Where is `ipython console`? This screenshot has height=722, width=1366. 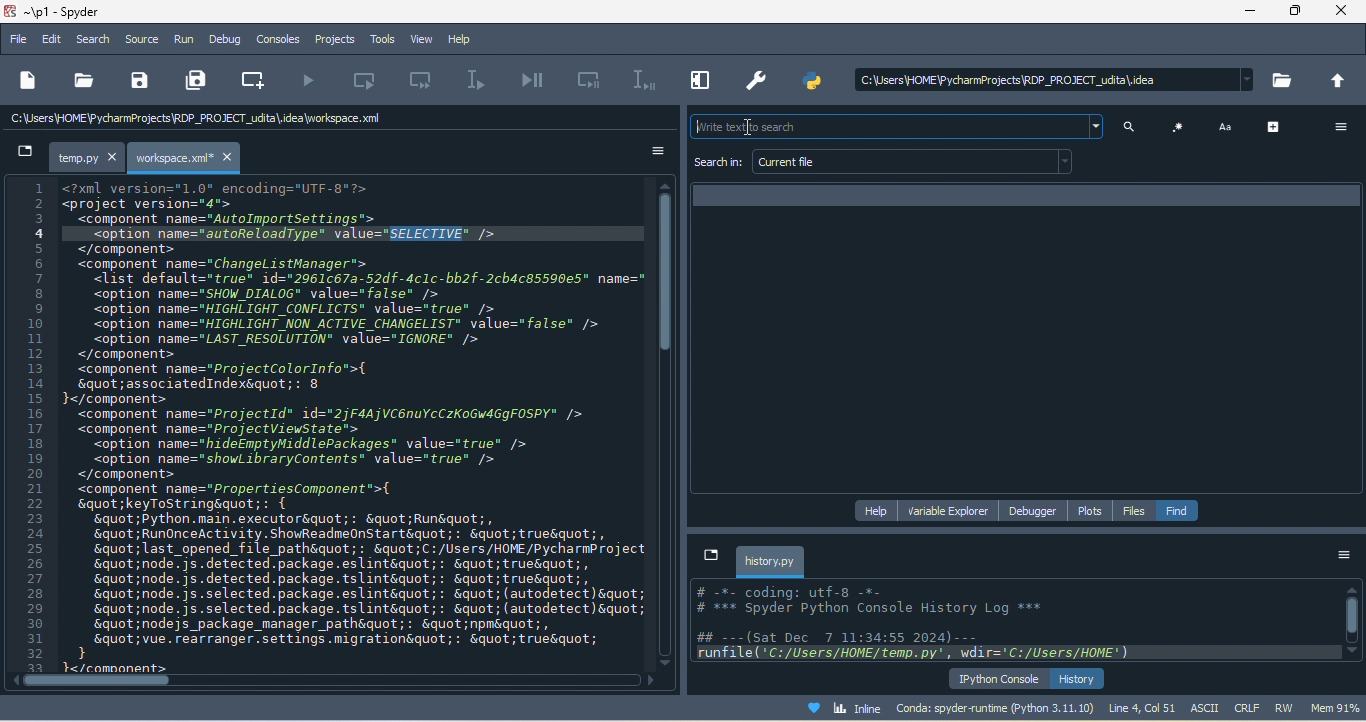 ipython console is located at coordinates (999, 678).